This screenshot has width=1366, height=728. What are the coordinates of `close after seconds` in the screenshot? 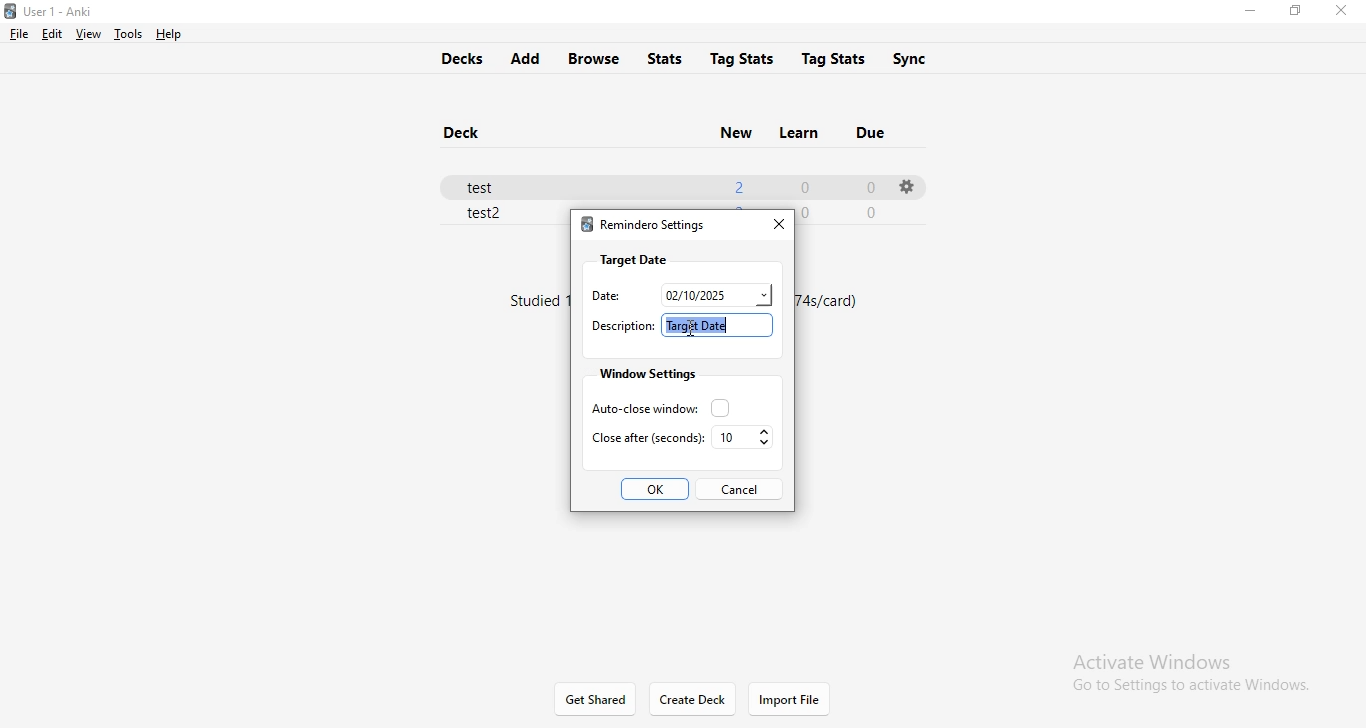 It's located at (645, 437).